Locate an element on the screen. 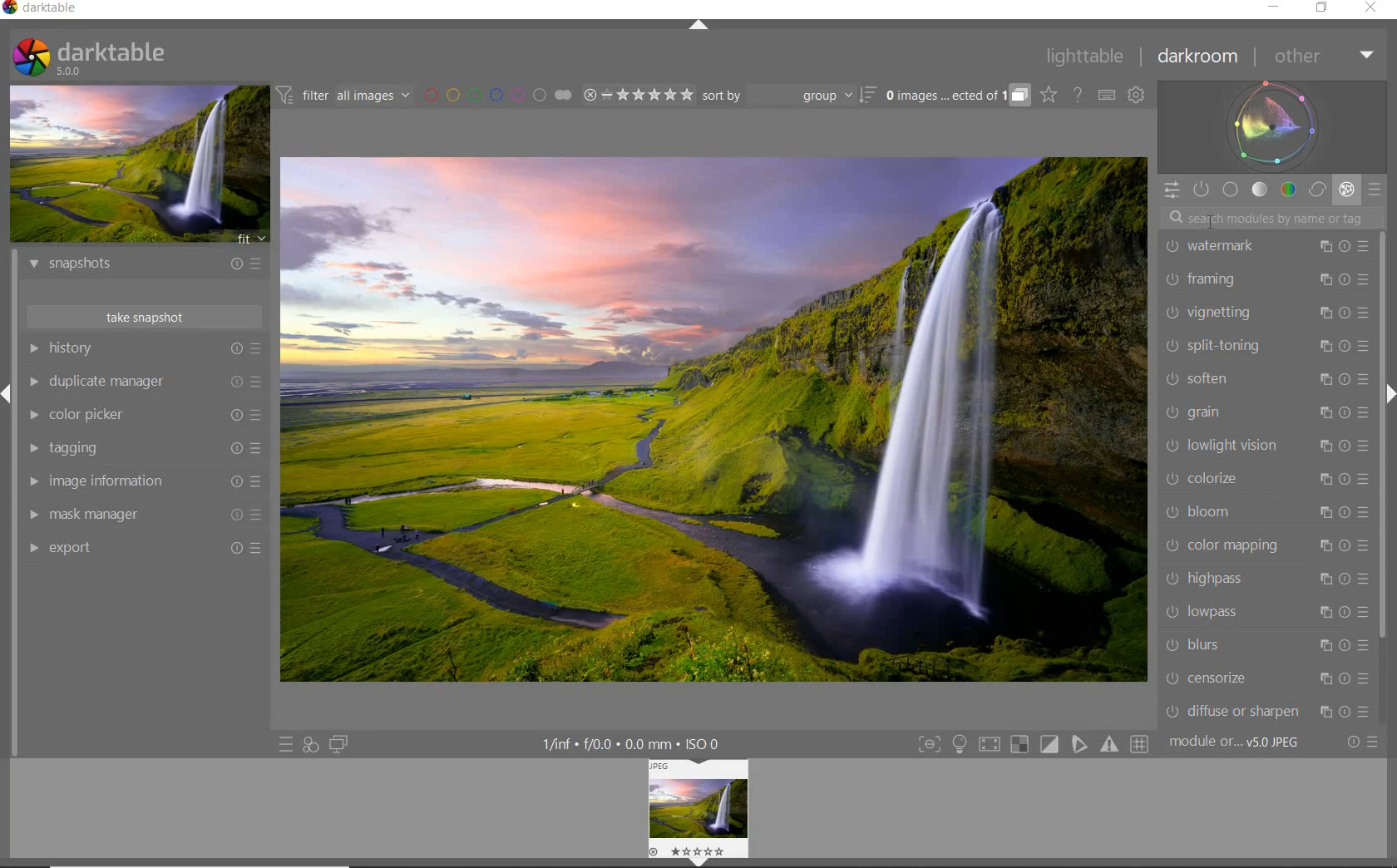 The height and width of the screenshot is (868, 1397). TOGGLE MODES is located at coordinates (1032, 745).